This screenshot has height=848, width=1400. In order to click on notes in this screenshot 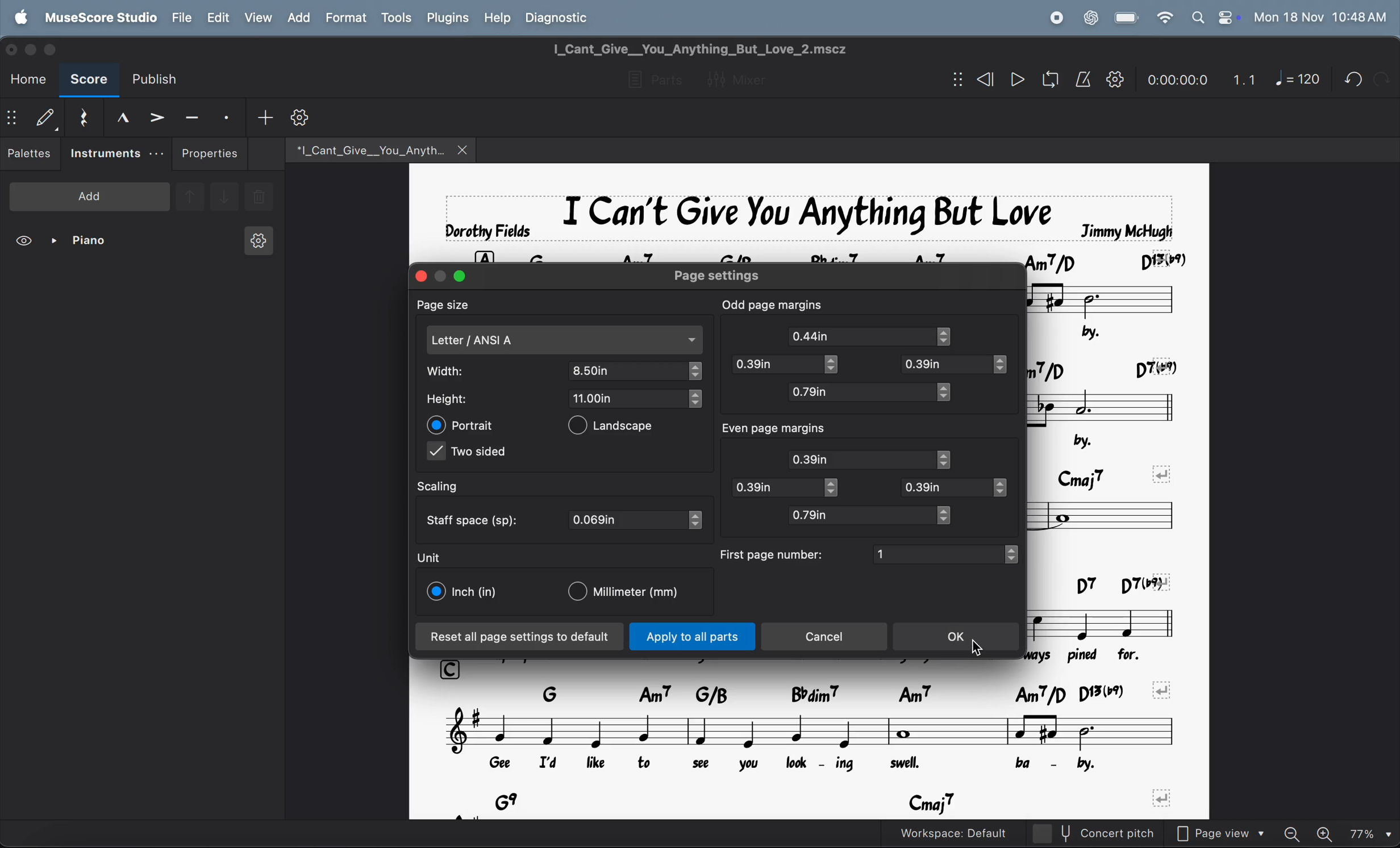, I will do `click(1115, 298)`.